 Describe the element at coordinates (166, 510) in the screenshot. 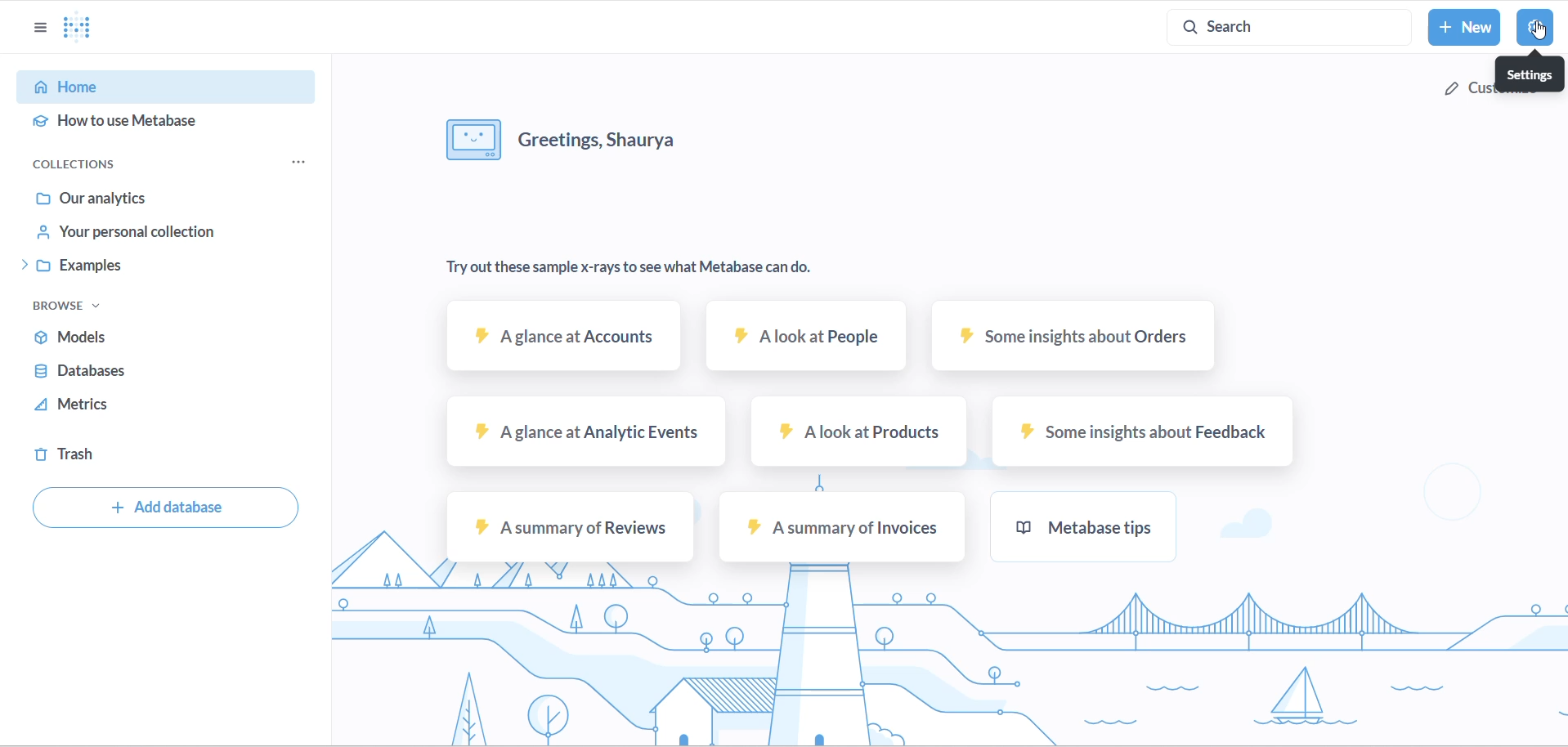

I see `add database` at that location.